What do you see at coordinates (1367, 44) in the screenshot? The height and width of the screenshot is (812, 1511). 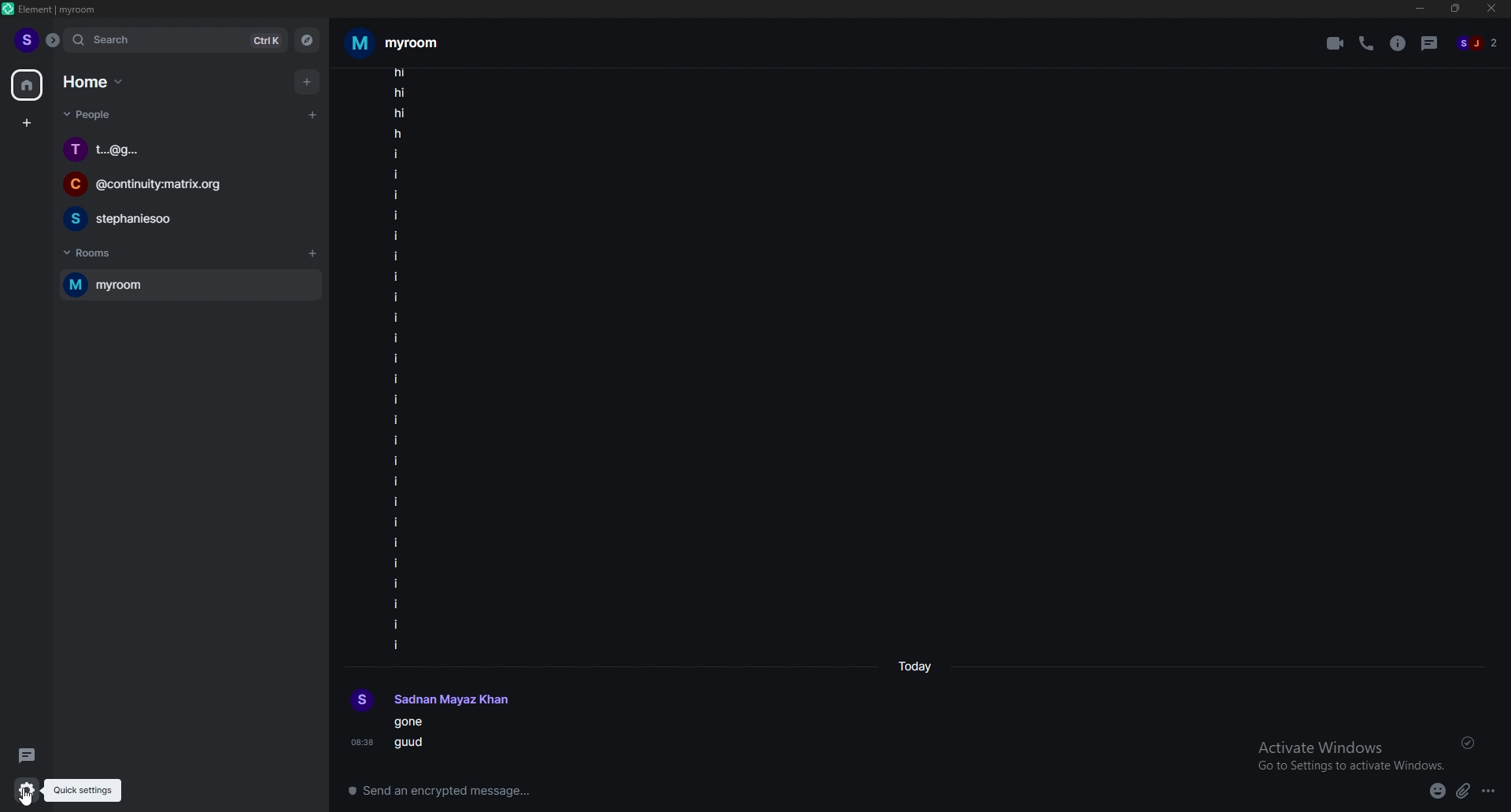 I see `voice call` at bounding box center [1367, 44].